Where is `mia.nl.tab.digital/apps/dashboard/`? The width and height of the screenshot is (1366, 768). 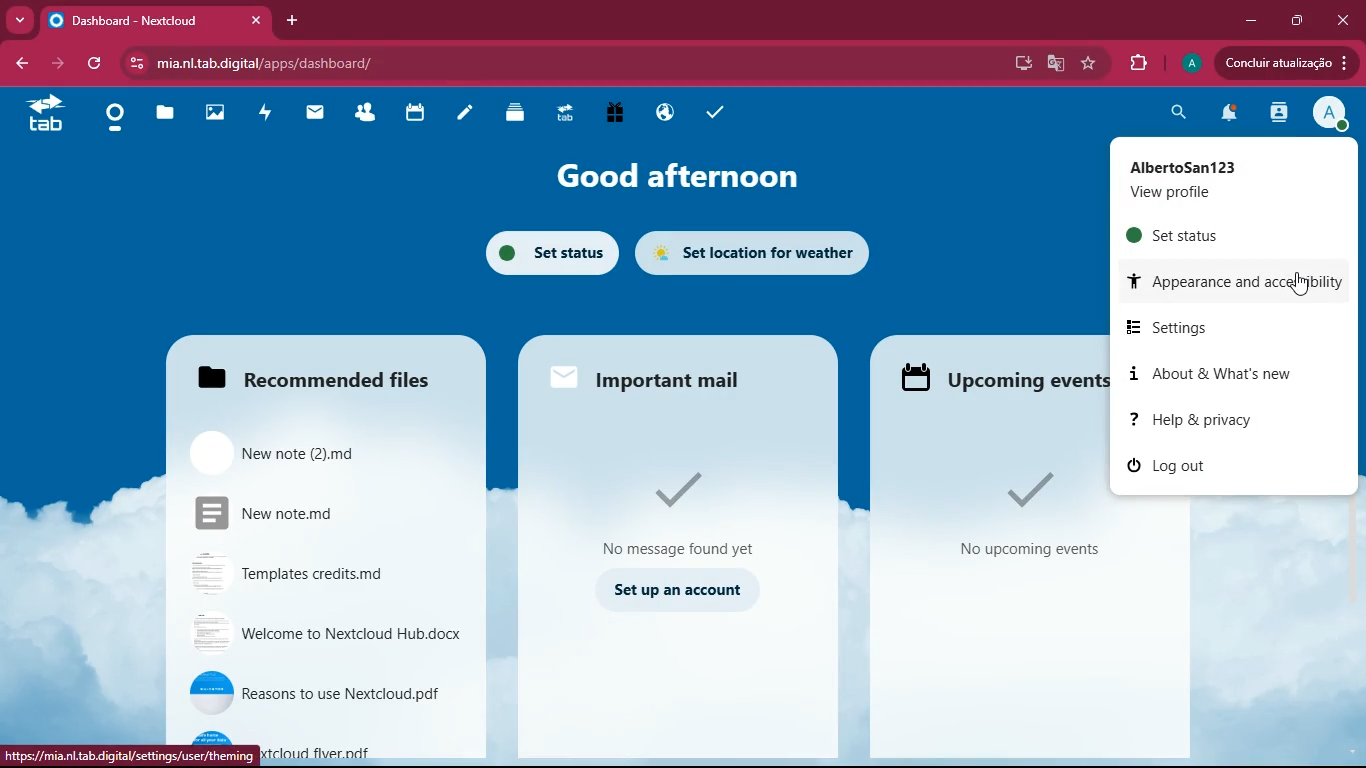
mia.nl.tab.digital/apps/dashboard/ is located at coordinates (265, 65).